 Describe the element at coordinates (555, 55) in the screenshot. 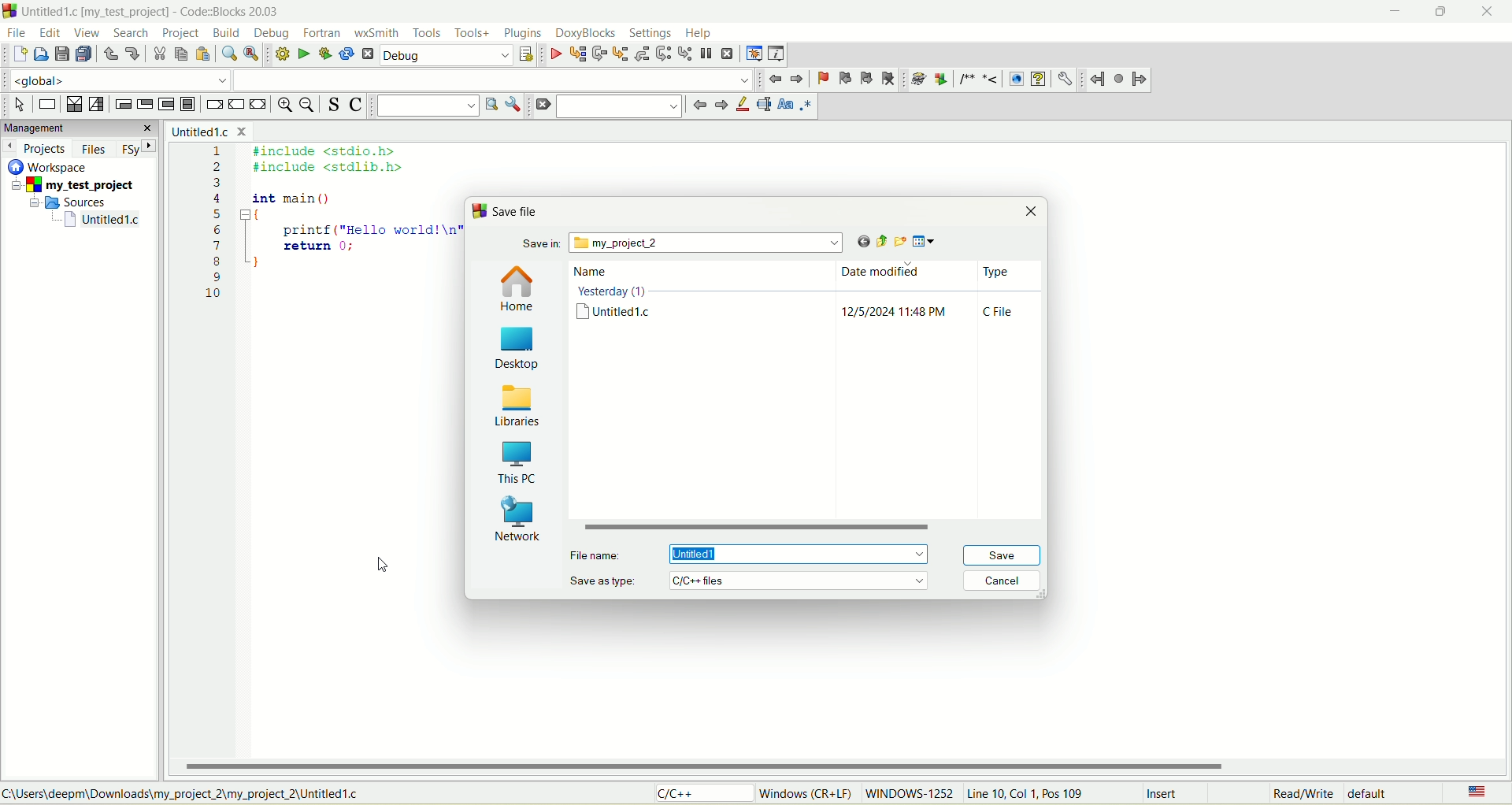

I see `debug` at that location.